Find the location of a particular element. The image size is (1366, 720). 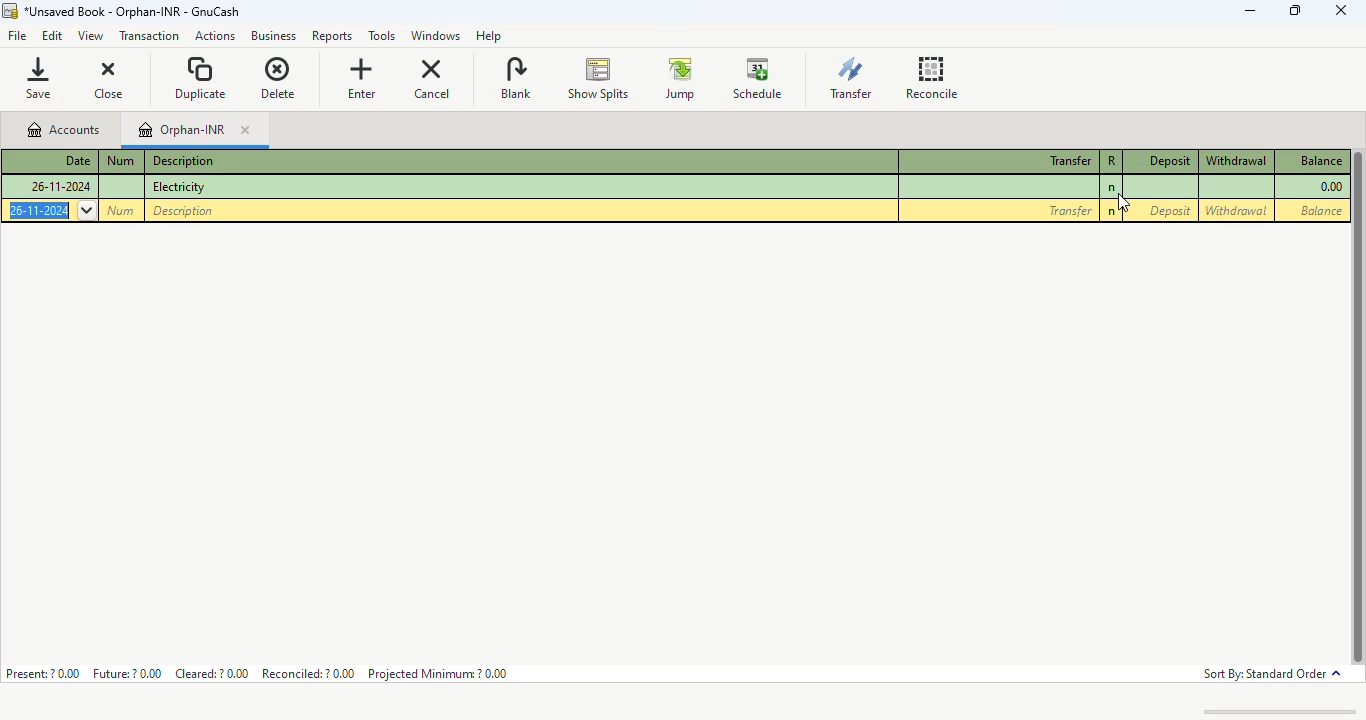

orphan-INR is located at coordinates (183, 130).